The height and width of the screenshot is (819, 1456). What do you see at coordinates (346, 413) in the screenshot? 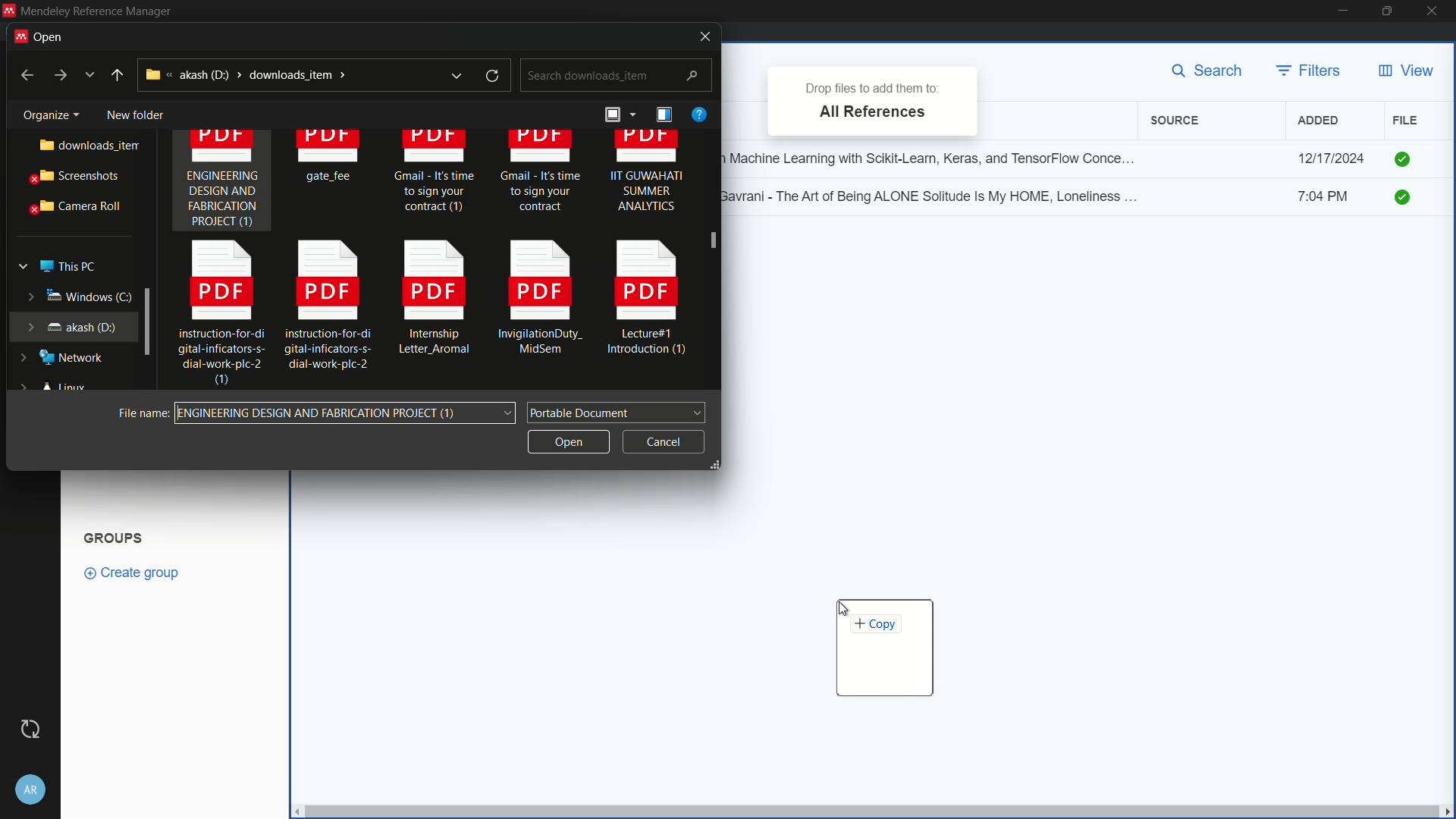
I see `file name: ENGINEERING DESIGN AND FABRICATION PROJECT (1)` at bounding box center [346, 413].